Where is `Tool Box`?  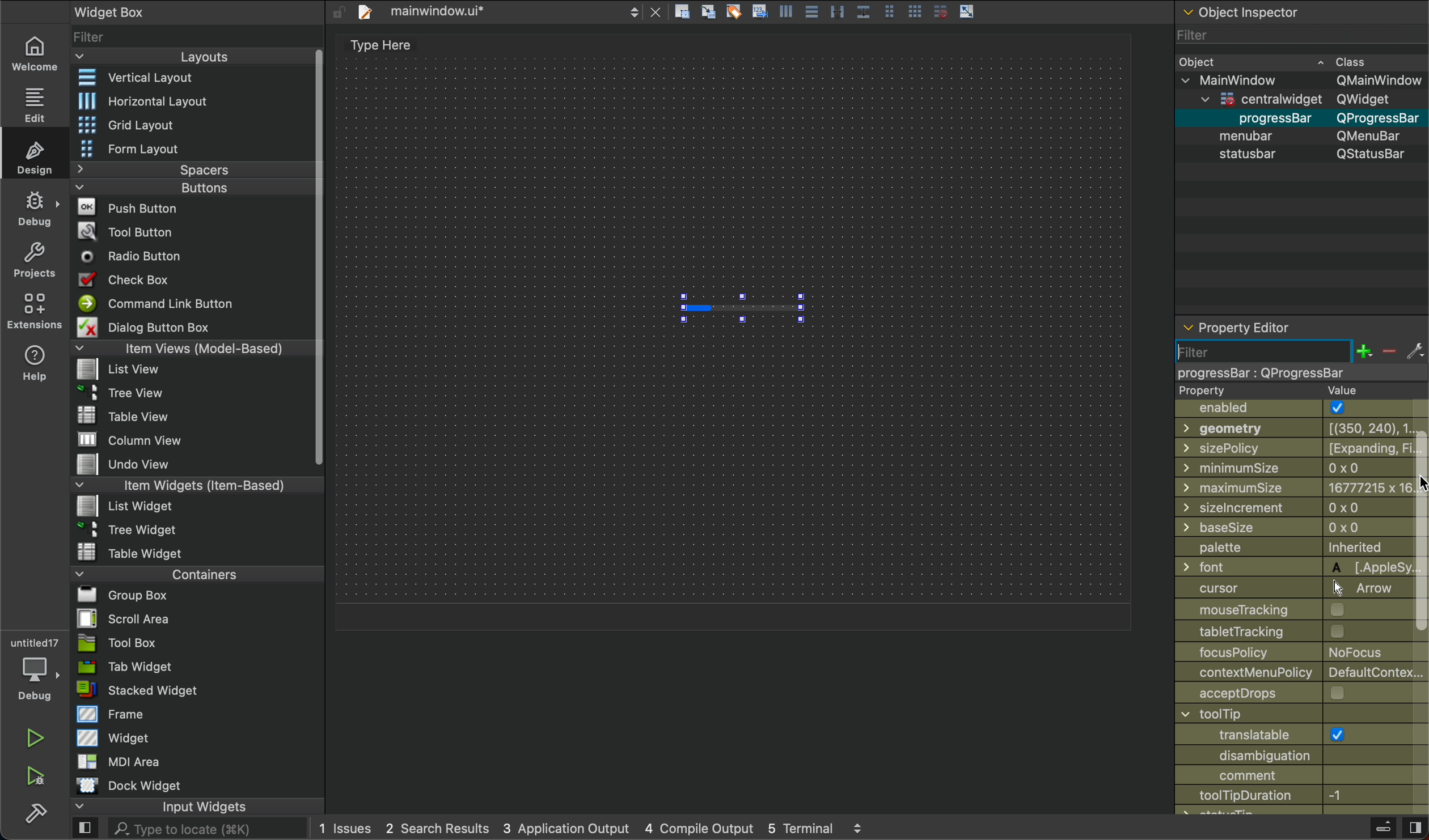
Tool Box is located at coordinates (117, 643).